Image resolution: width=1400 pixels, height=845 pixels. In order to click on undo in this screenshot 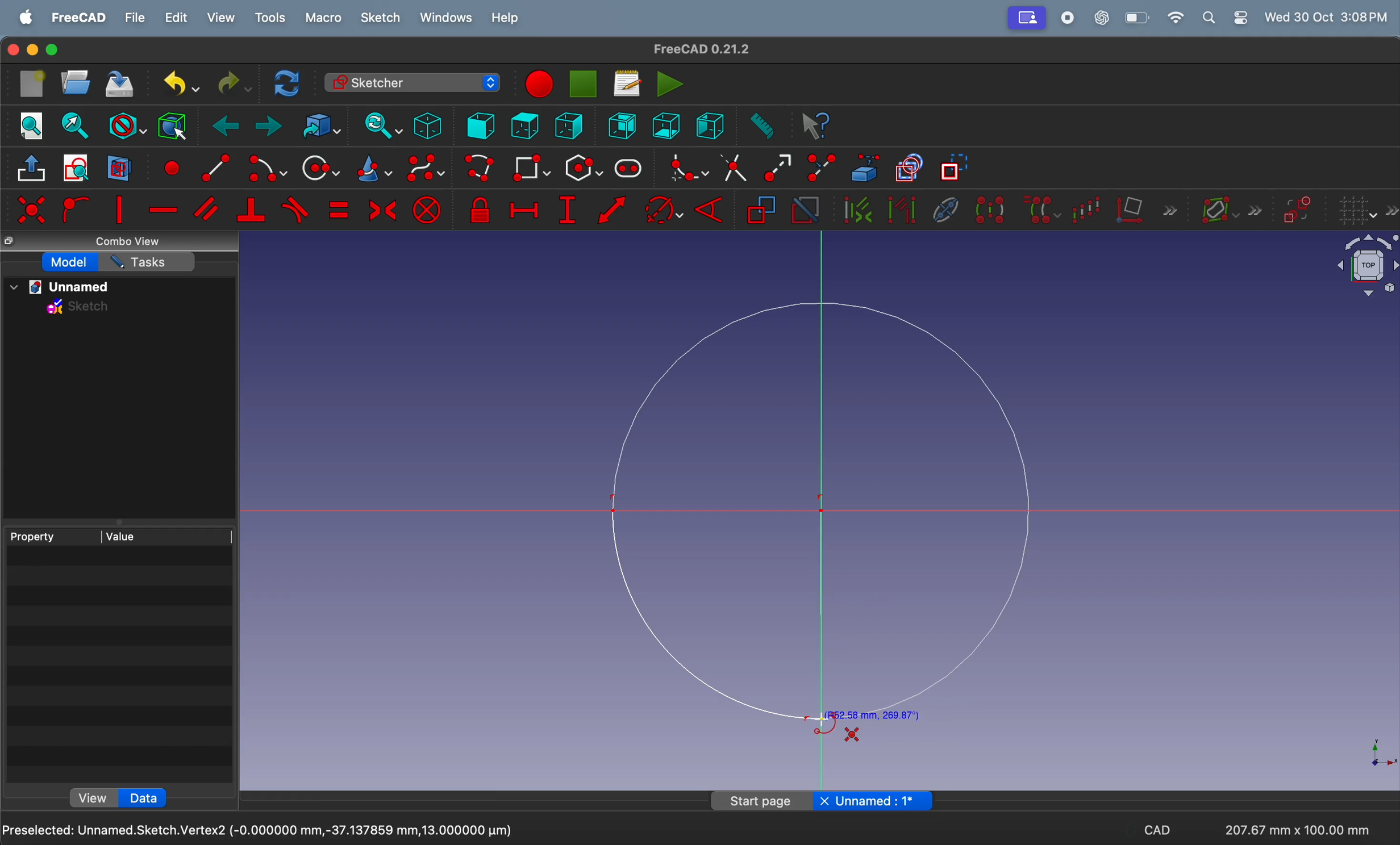, I will do `click(176, 83)`.